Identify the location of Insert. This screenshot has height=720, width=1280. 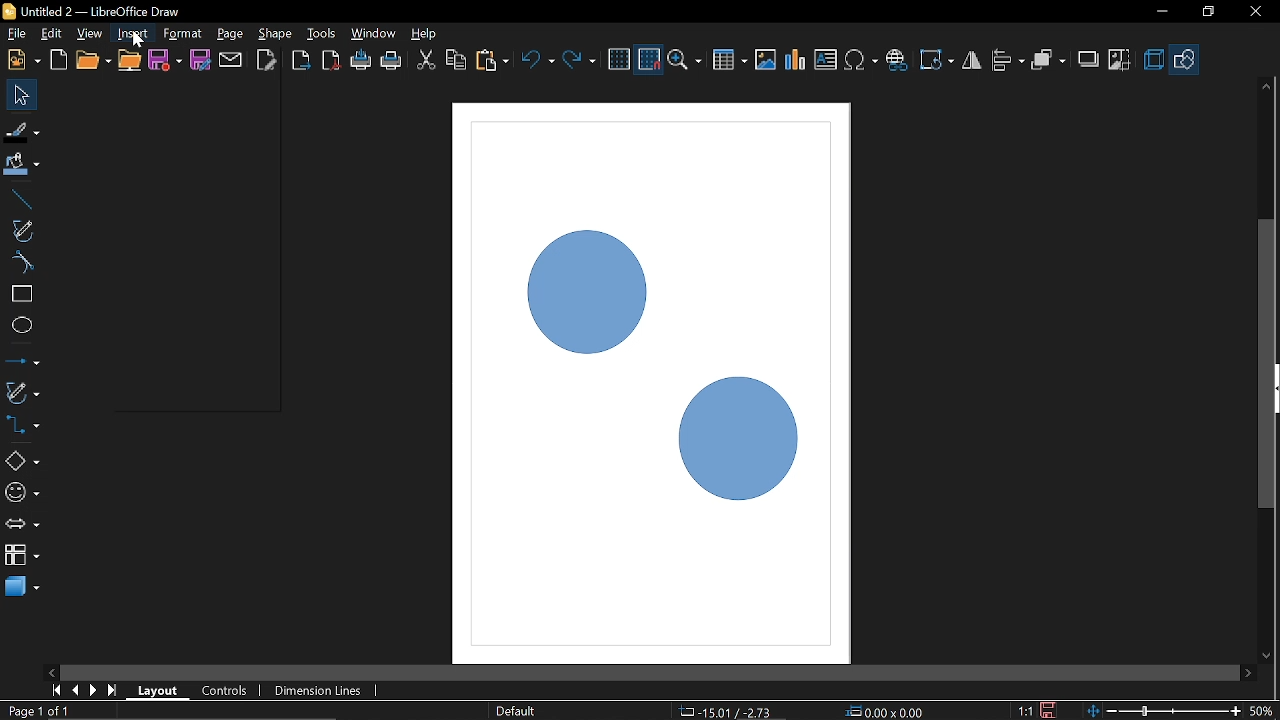
(134, 33).